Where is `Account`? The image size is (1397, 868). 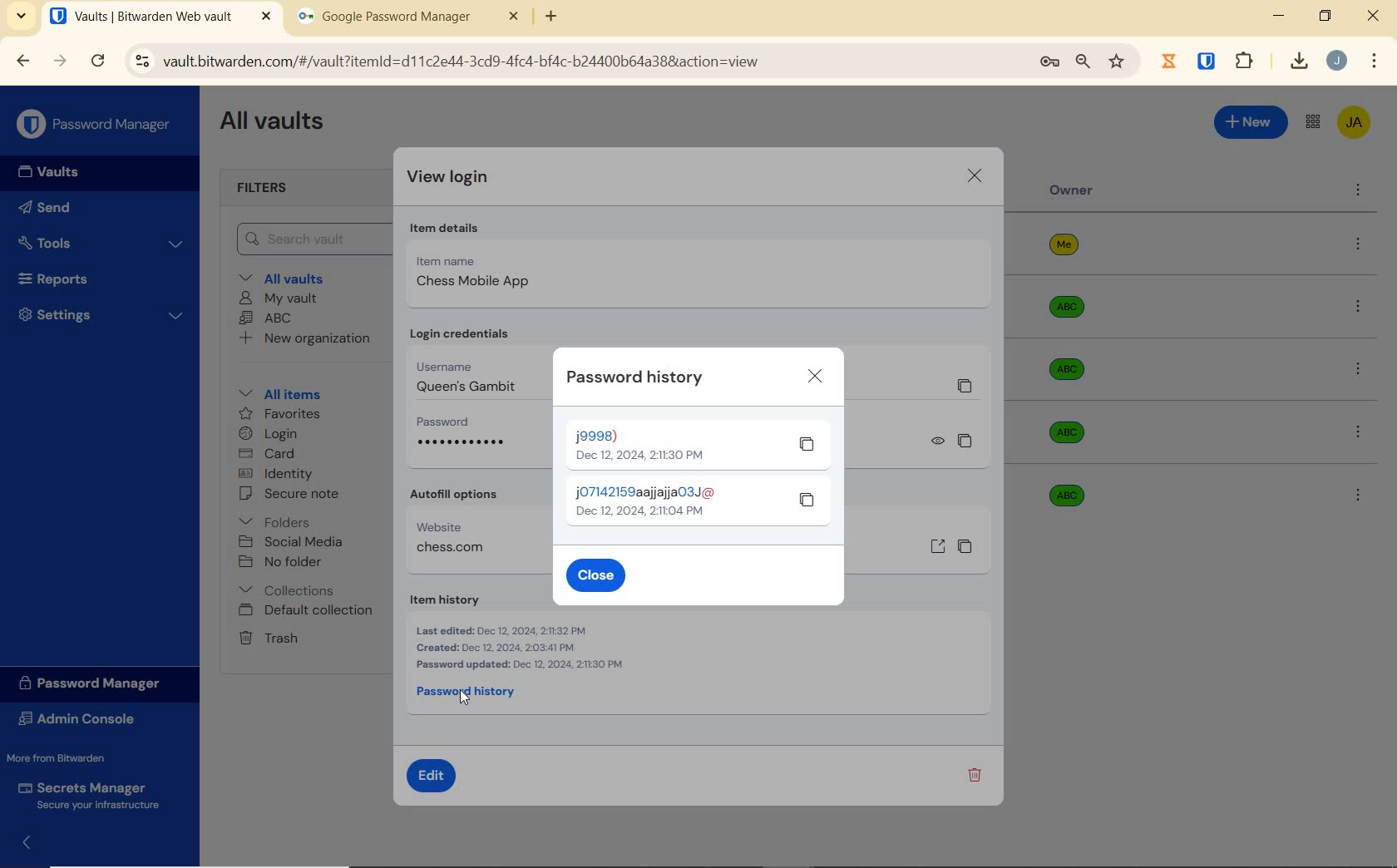
Account is located at coordinates (1340, 62).